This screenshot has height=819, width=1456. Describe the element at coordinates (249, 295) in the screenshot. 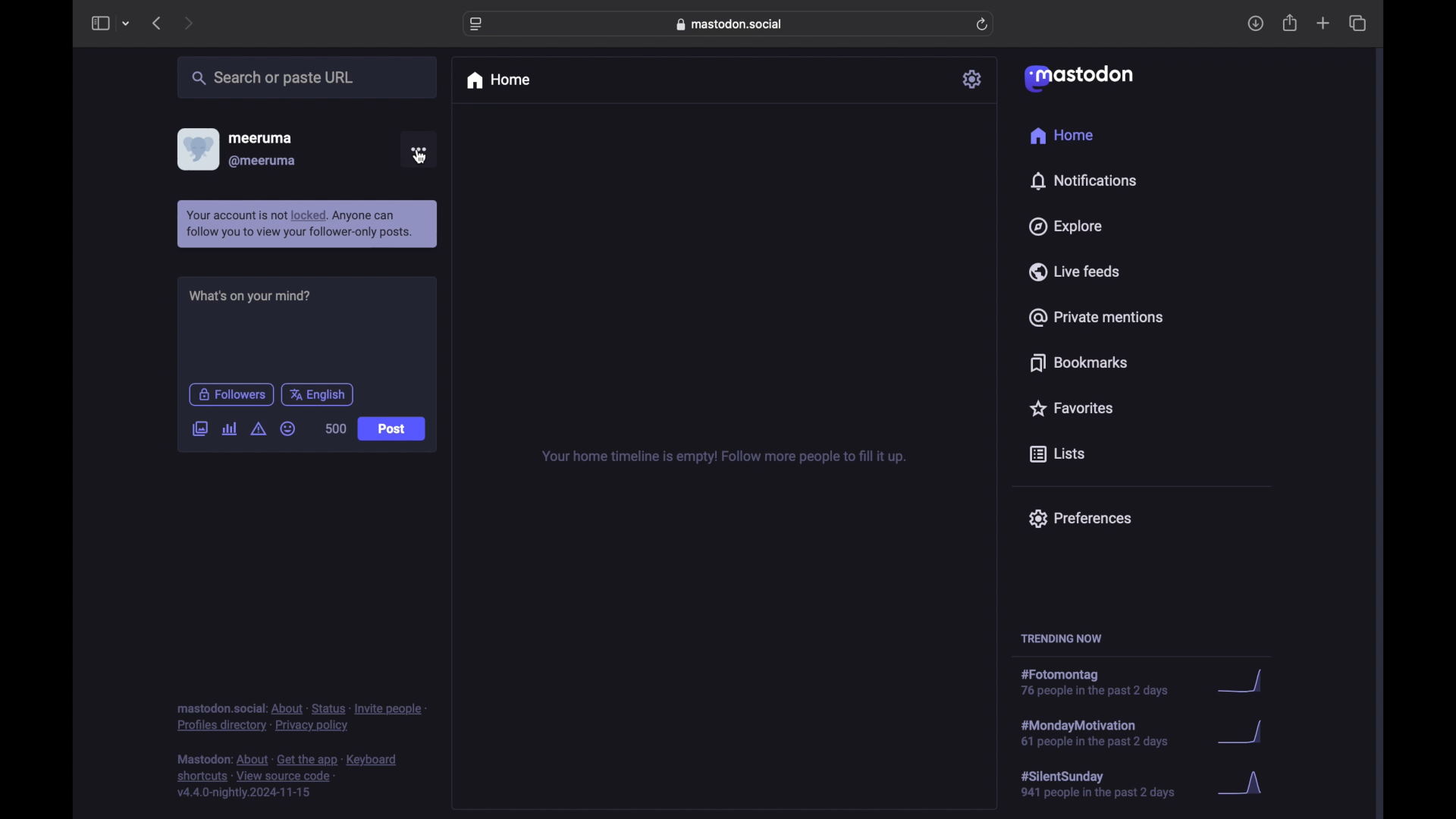

I see `what's on your mind?` at that location.